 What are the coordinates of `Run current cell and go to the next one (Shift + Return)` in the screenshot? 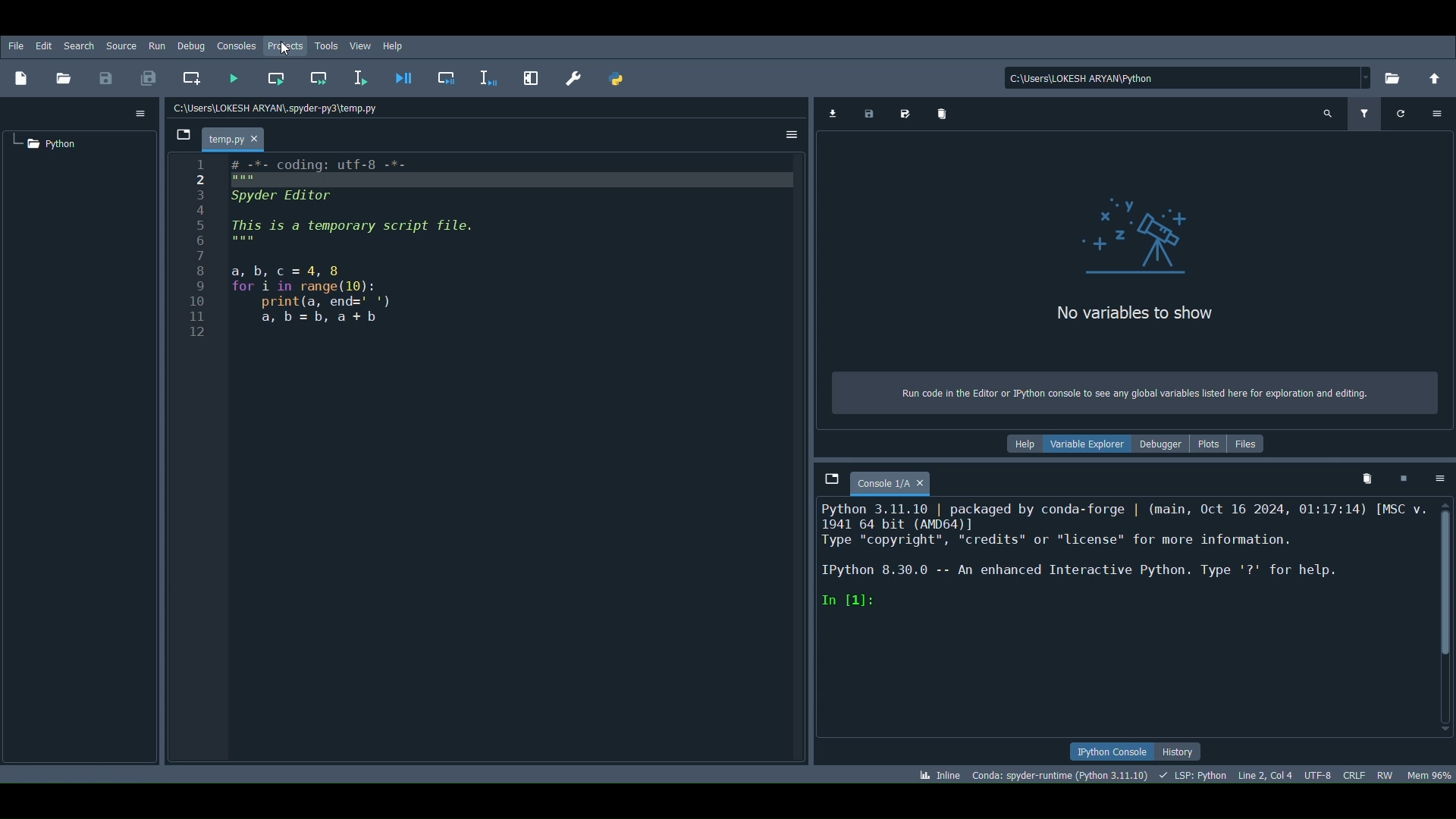 It's located at (319, 77).